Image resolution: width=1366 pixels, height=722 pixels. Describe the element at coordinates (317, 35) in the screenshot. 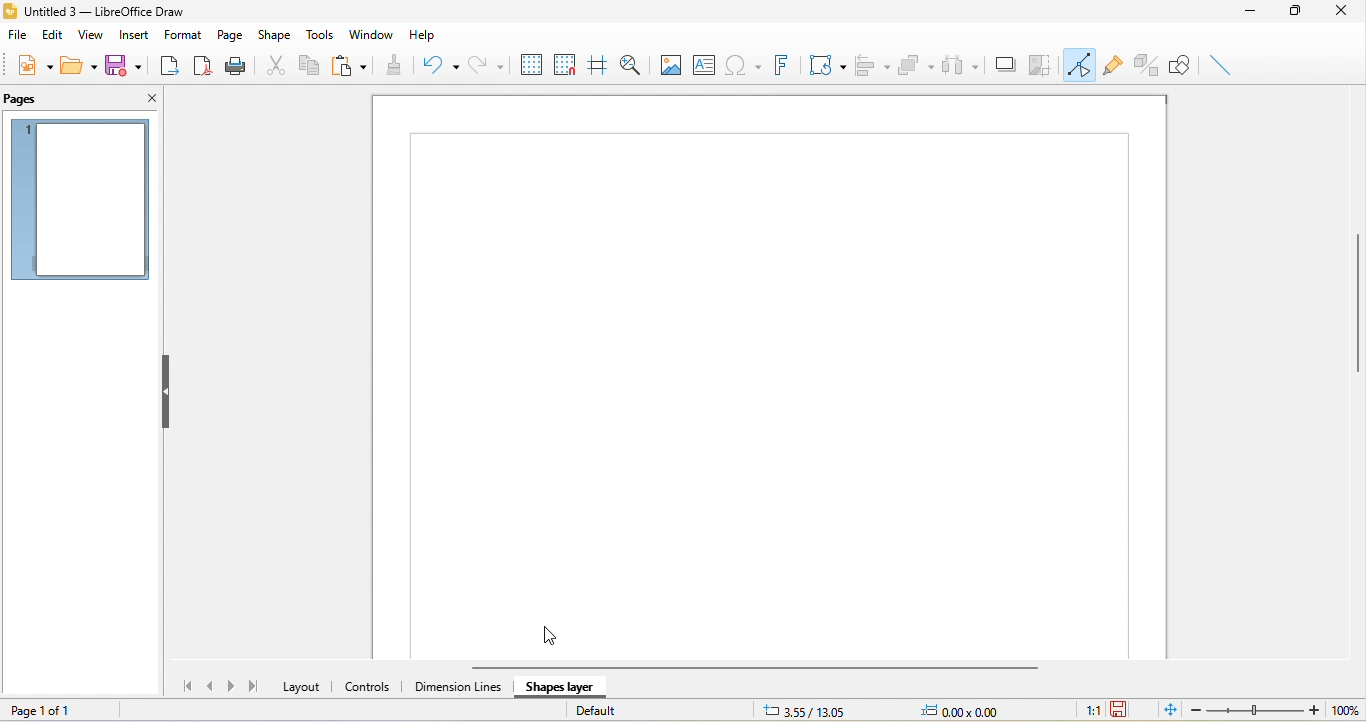

I see `tools` at that location.